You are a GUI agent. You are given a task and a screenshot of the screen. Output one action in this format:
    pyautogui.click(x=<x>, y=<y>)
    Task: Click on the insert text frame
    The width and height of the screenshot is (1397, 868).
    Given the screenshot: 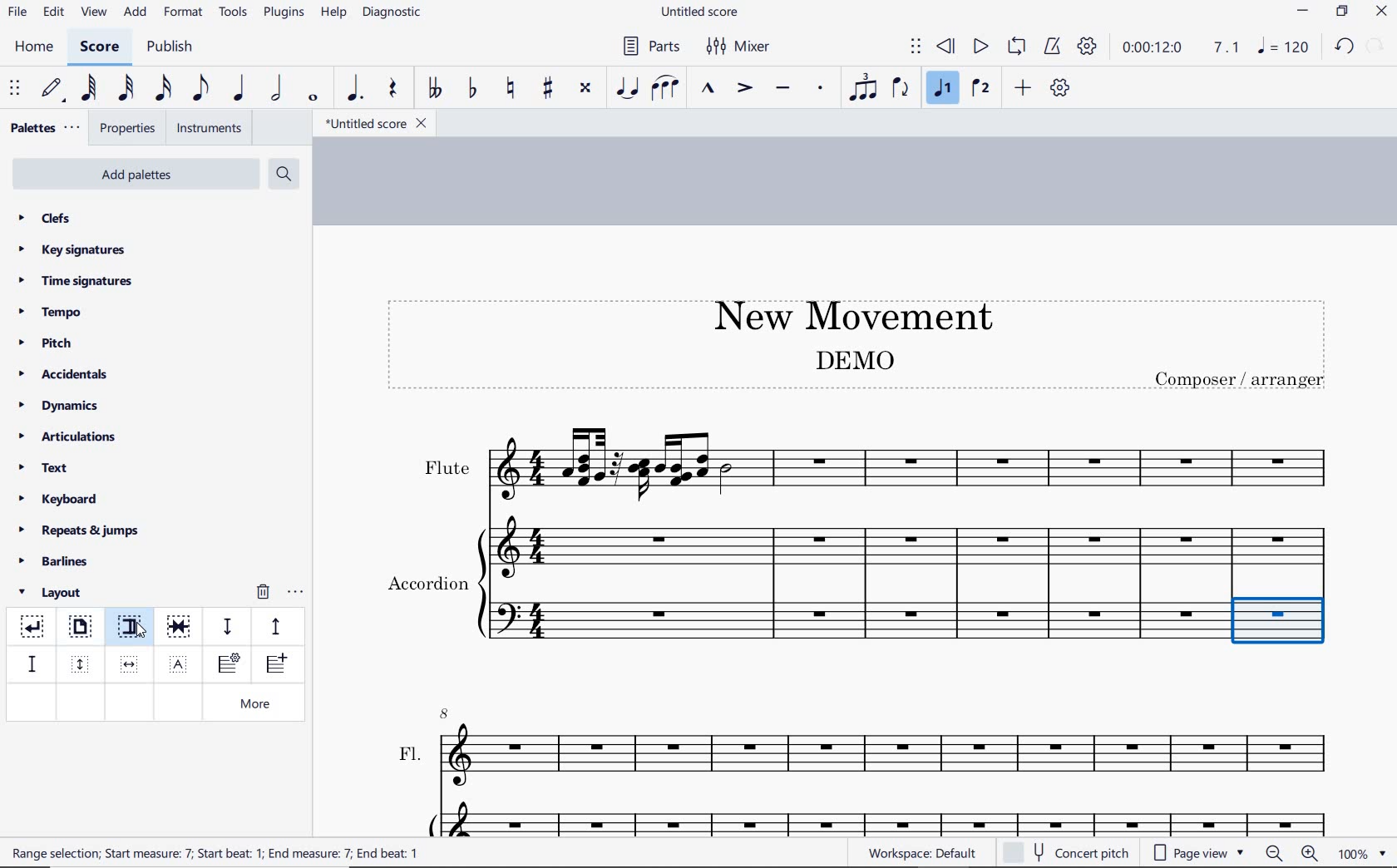 What is the action you would take?
    pyautogui.click(x=180, y=663)
    